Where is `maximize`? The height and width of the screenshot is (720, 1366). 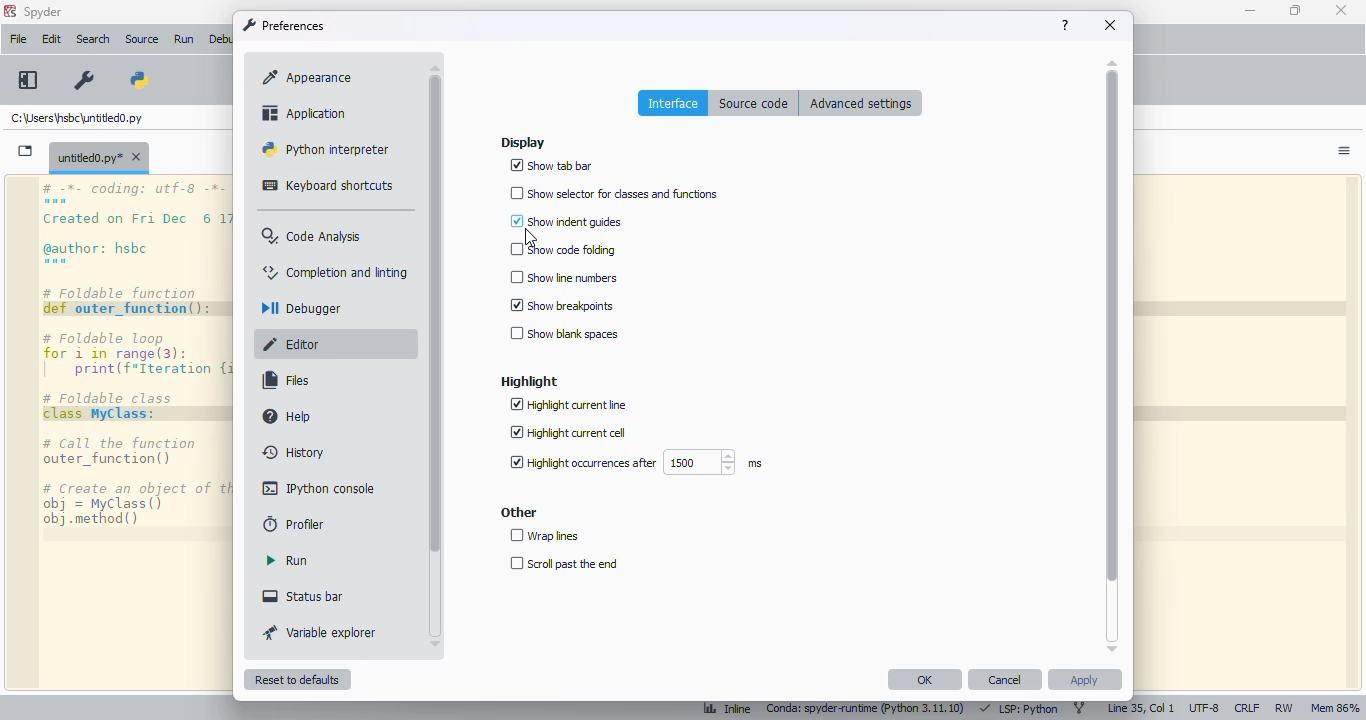
maximize is located at coordinates (1296, 10).